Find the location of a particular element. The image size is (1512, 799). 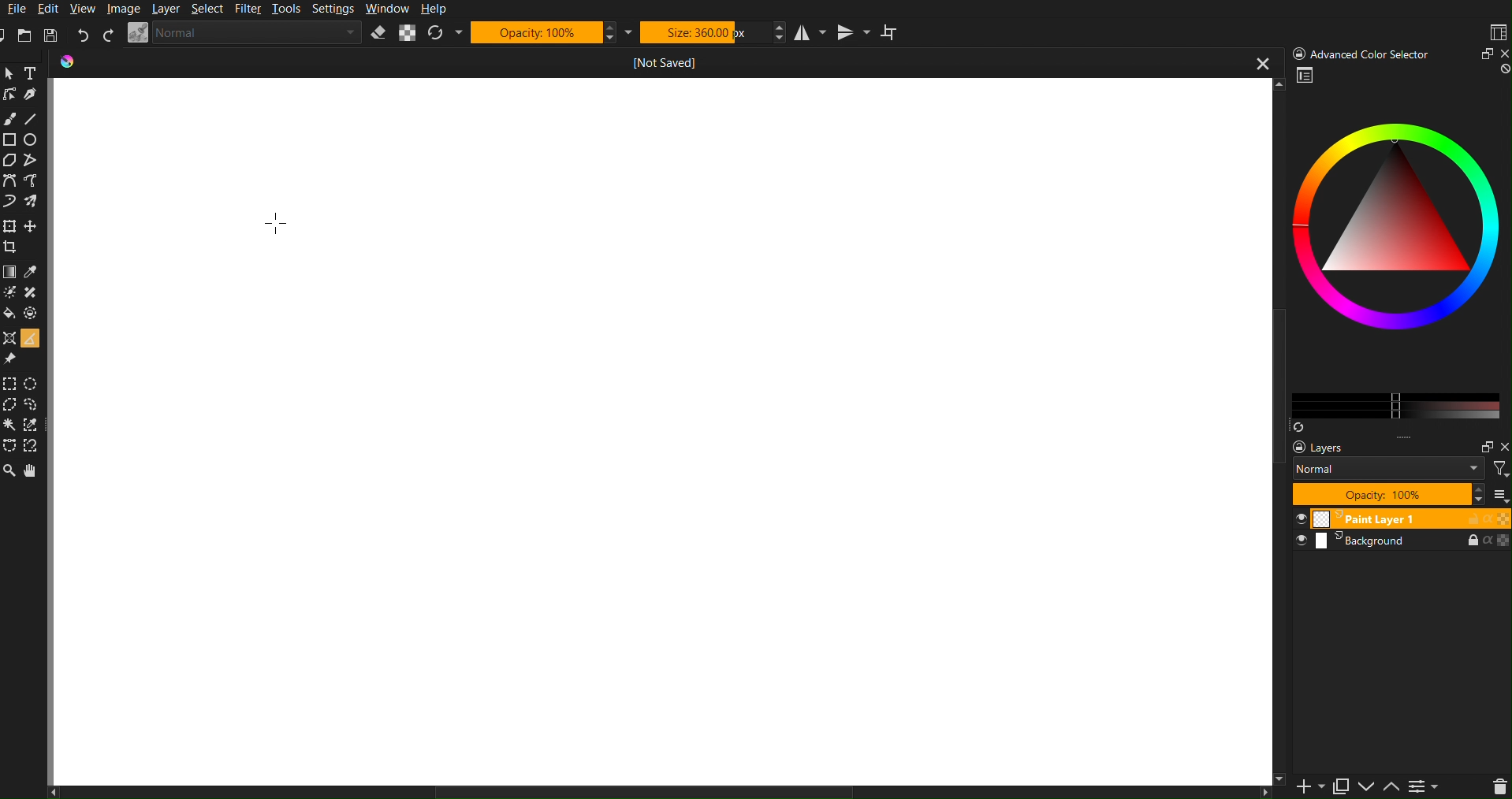

Color Picker is located at coordinates (33, 272).